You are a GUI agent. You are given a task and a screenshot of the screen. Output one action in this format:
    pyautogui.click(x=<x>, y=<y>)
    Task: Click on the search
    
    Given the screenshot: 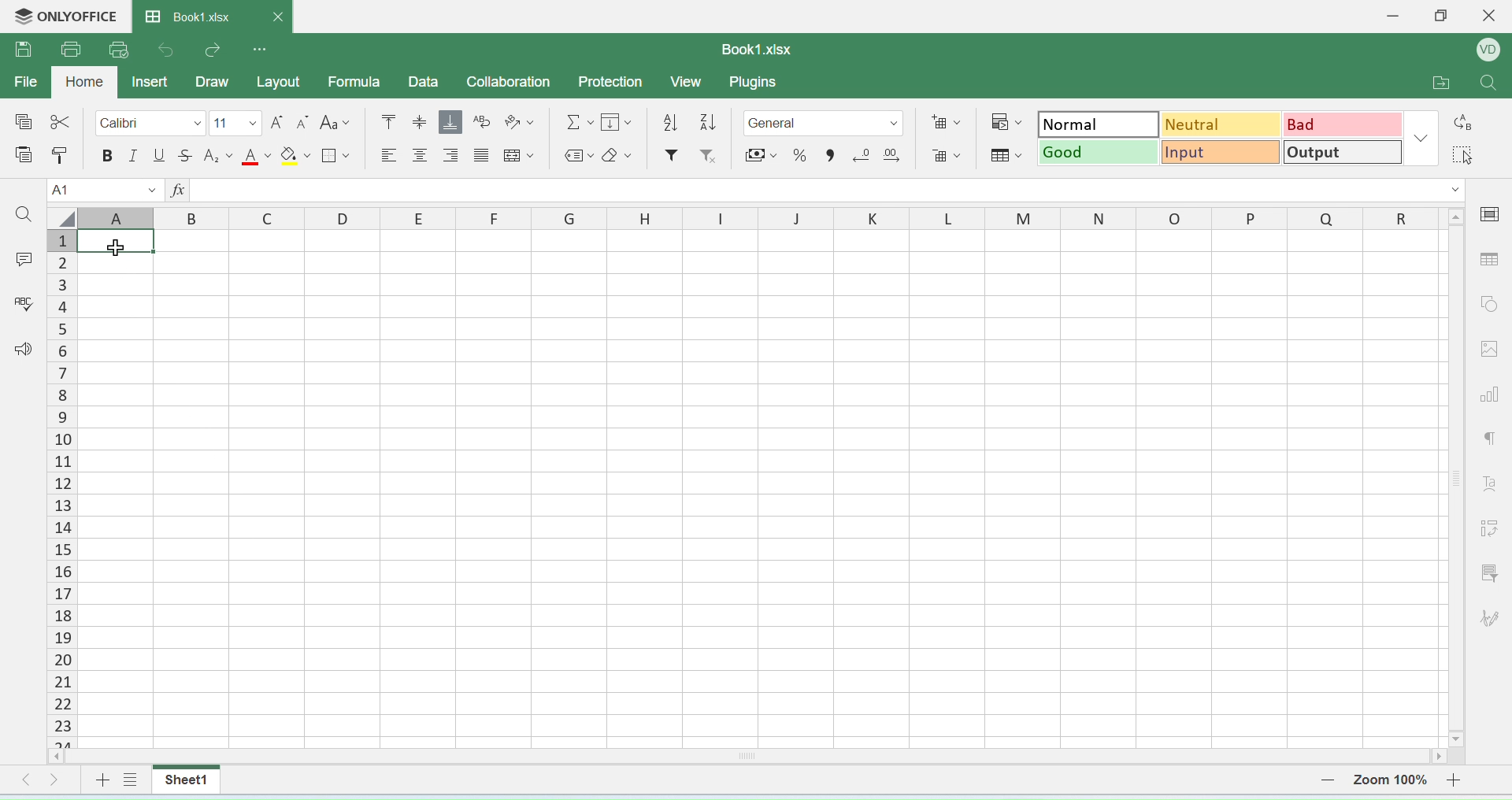 What is the action you would take?
    pyautogui.click(x=24, y=216)
    